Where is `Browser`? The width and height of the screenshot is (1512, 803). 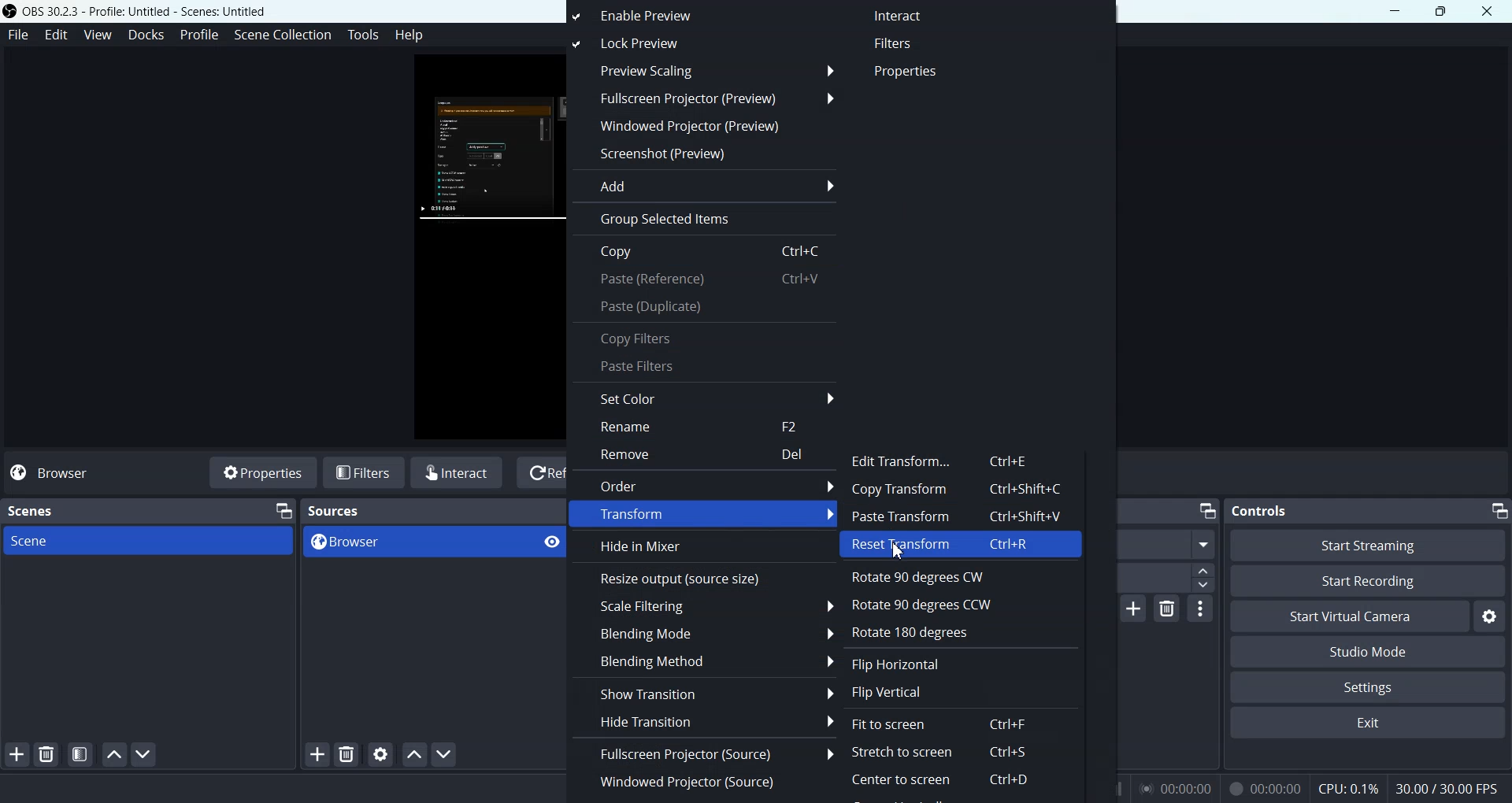 Browser is located at coordinates (413, 542).